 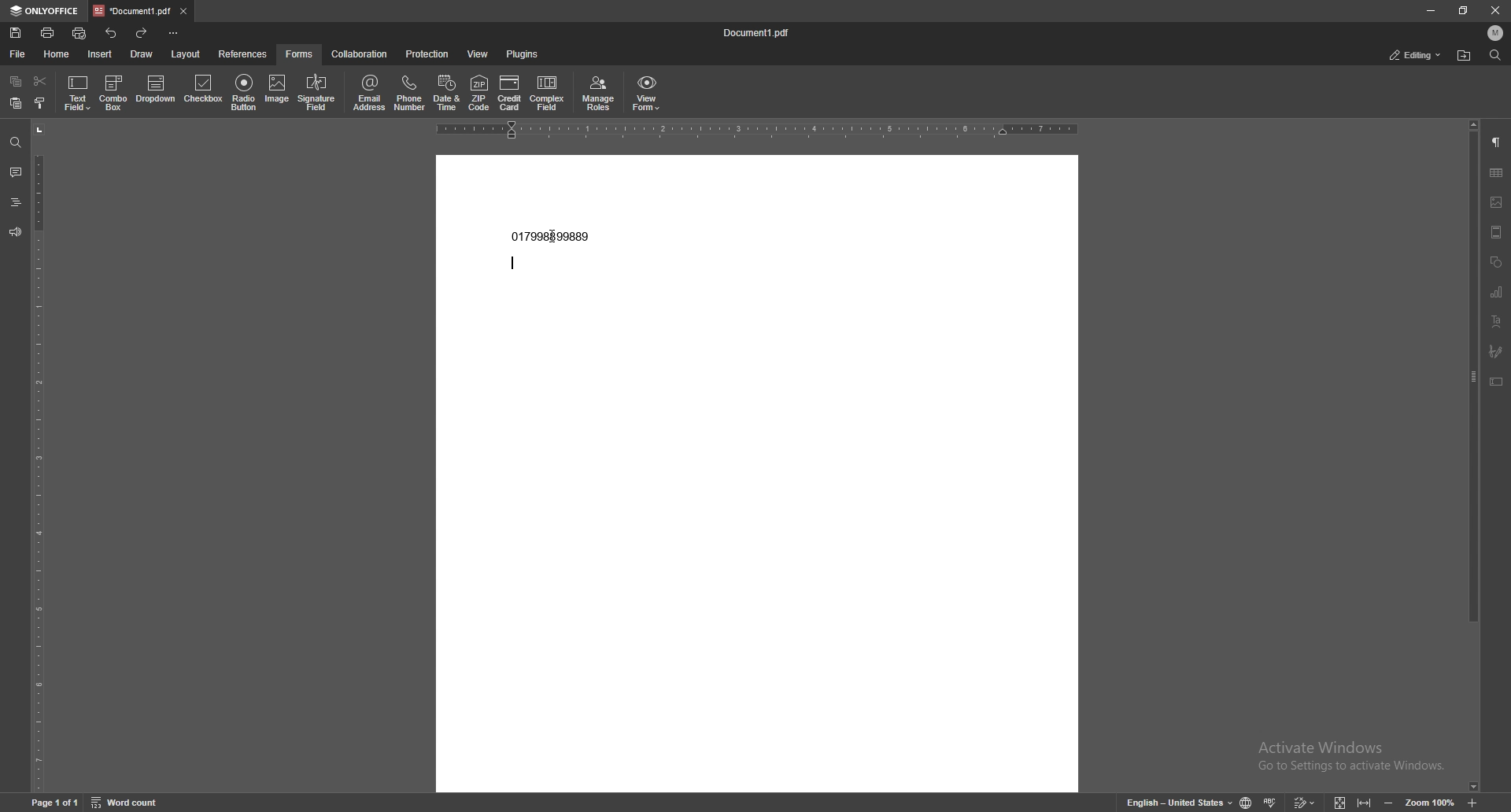 What do you see at coordinates (300, 54) in the screenshot?
I see `forms` at bounding box center [300, 54].